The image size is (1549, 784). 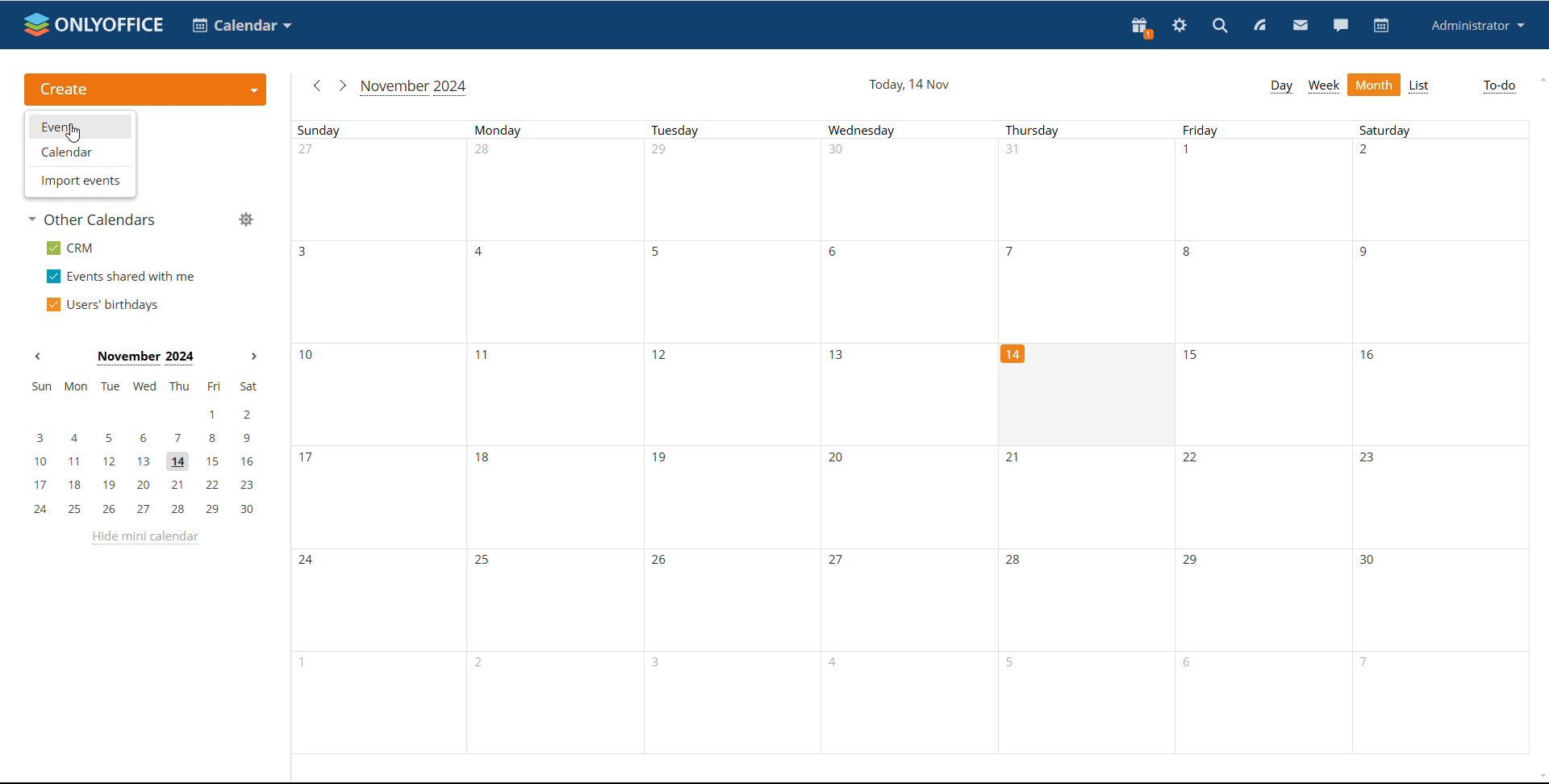 I want to click on 1, 2, so click(x=142, y=415).